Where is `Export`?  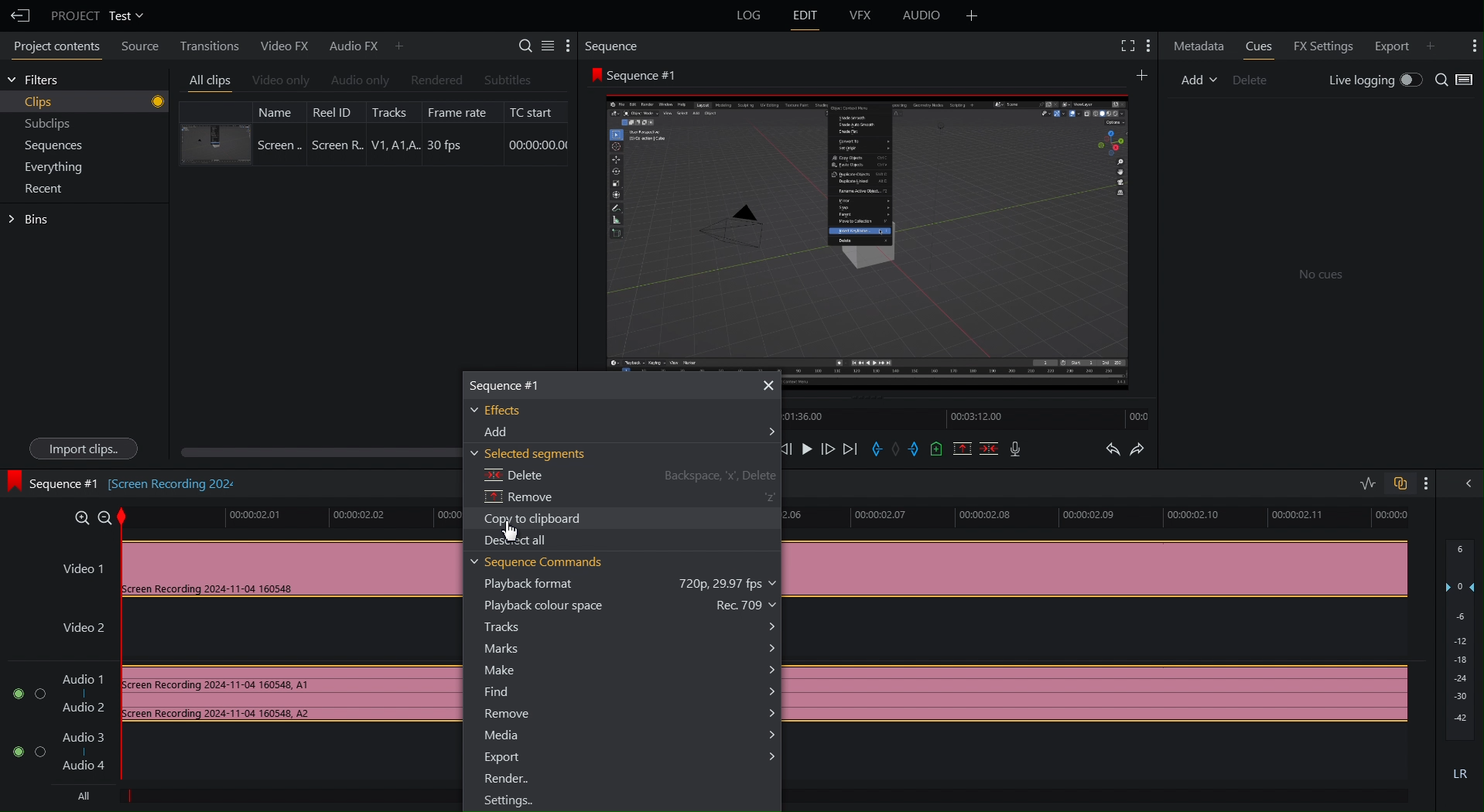 Export is located at coordinates (631, 756).